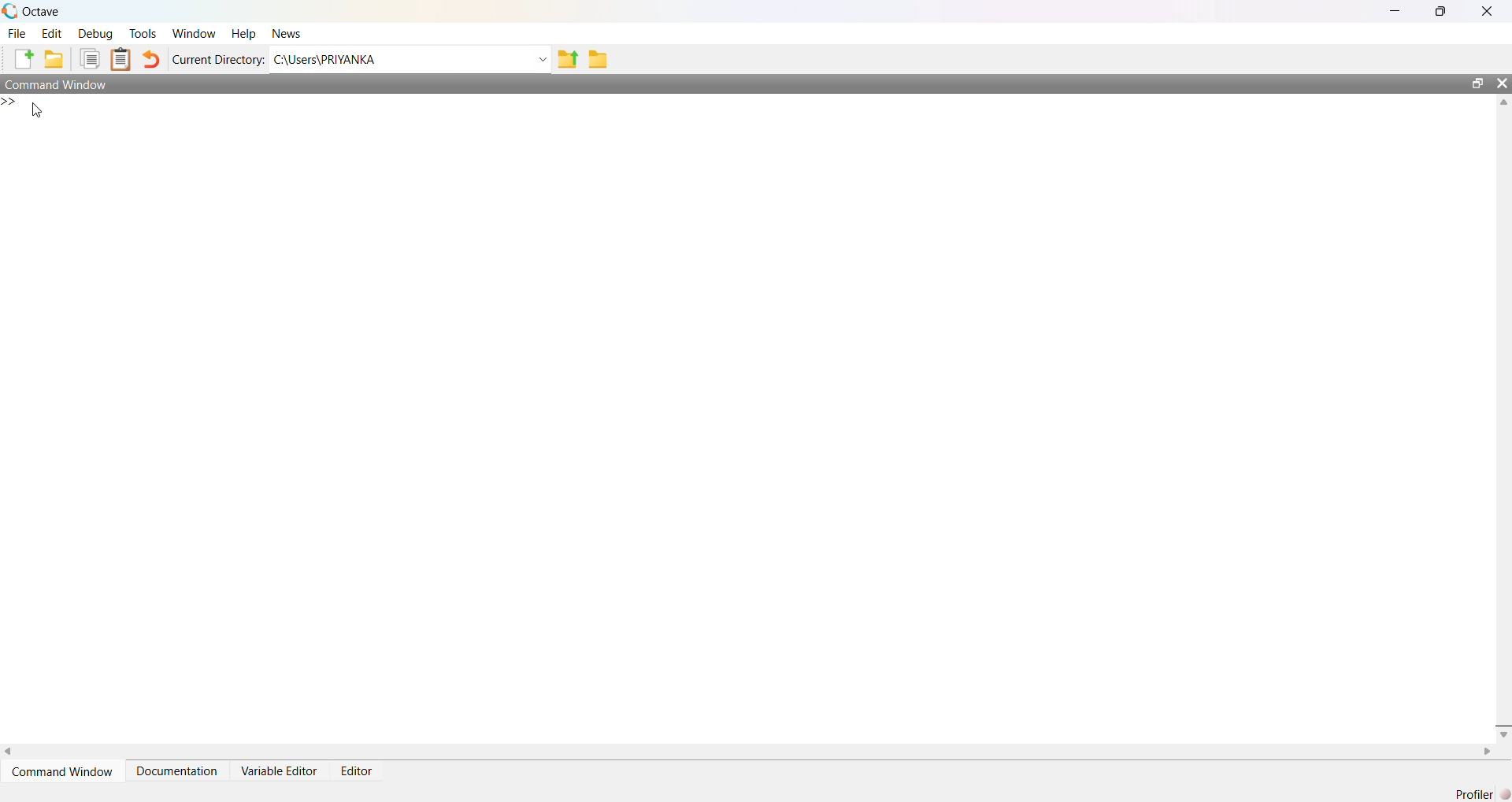 This screenshot has width=1512, height=802. What do you see at coordinates (1502, 83) in the screenshot?
I see `close` at bounding box center [1502, 83].